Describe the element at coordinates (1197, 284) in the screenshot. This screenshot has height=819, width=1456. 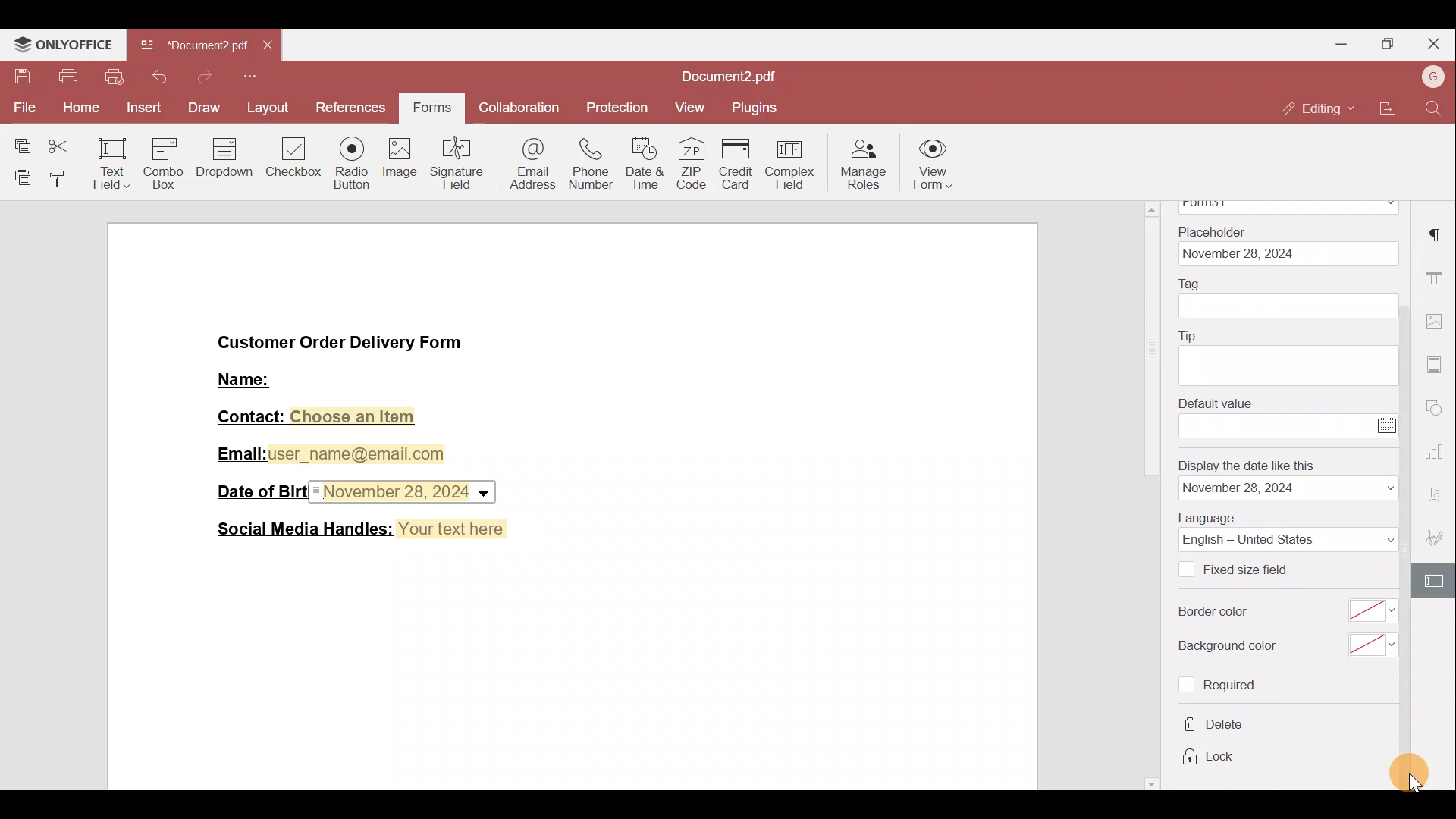
I see `Tag` at that location.